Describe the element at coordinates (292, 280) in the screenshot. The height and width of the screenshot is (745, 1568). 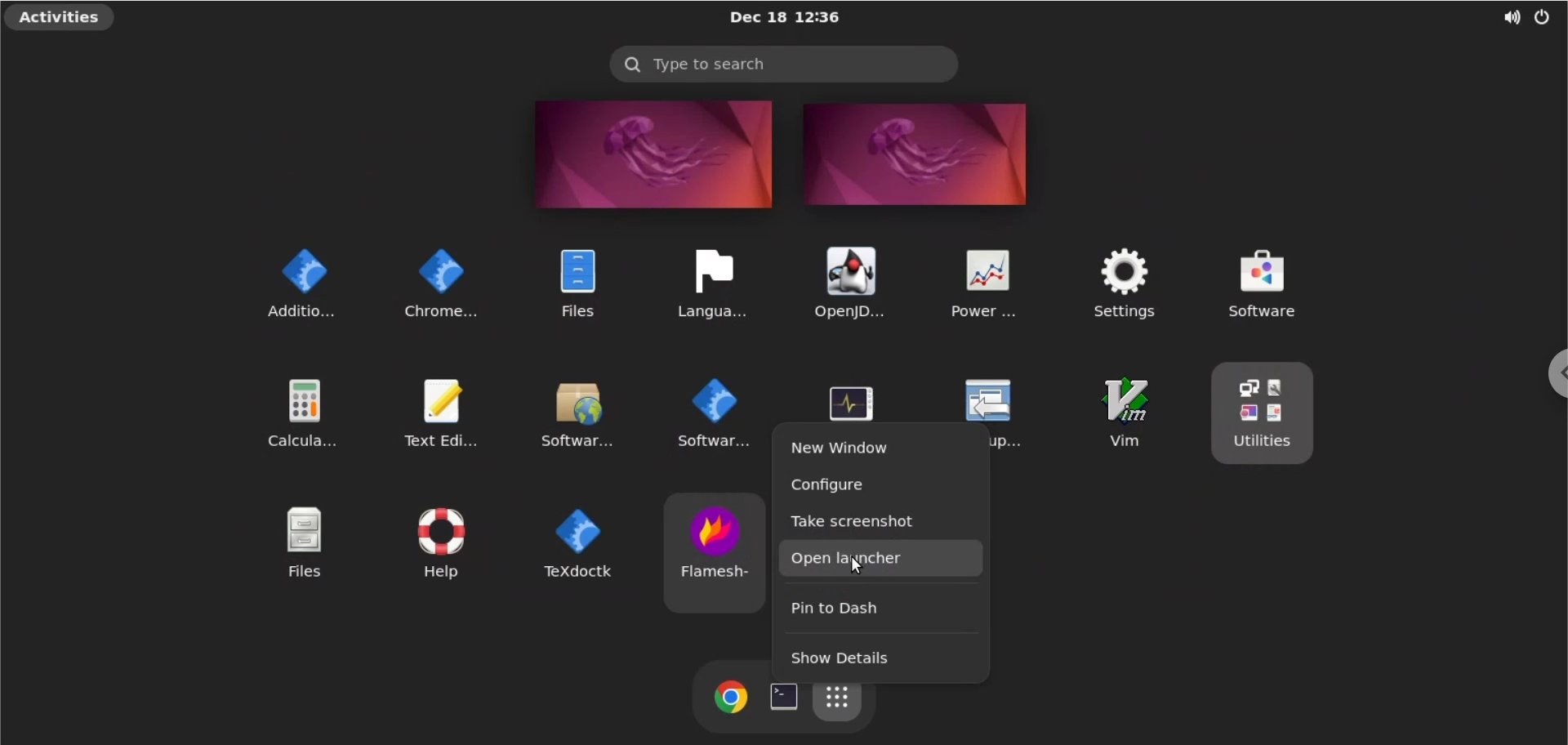
I see `additional settings ` at that location.